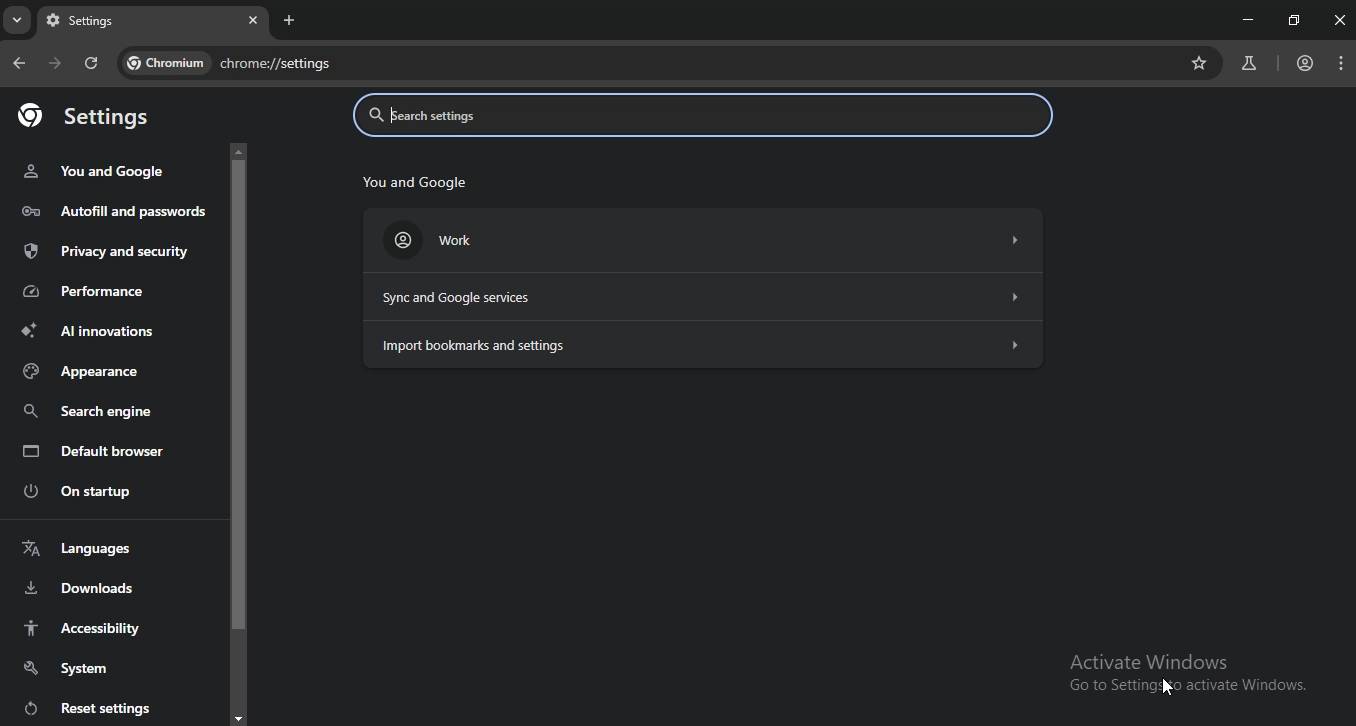  What do you see at coordinates (1202, 63) in the screenshot?
I see `bookmark this tab` at bounding box center [1202, 63].